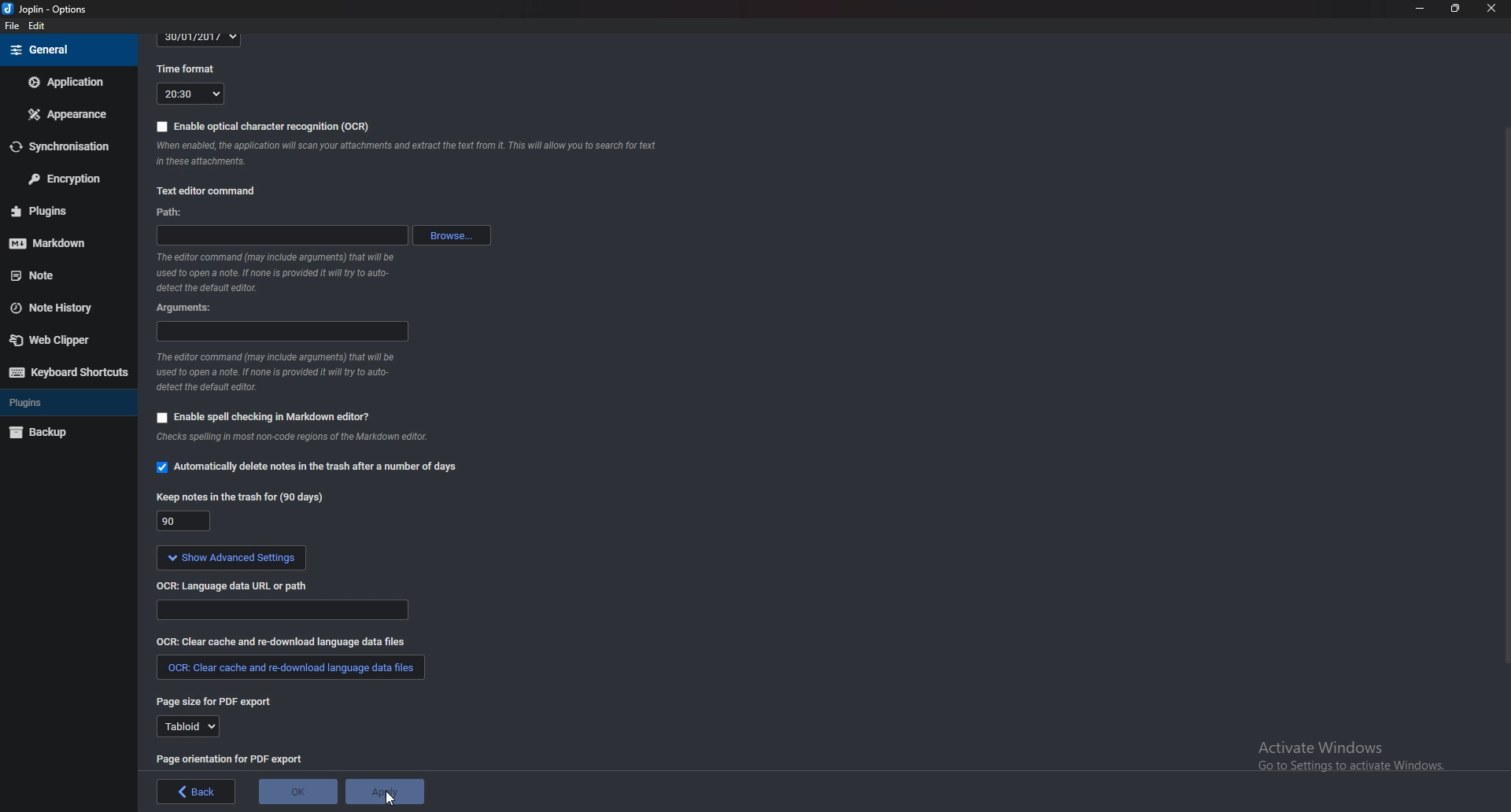  I want to click on Resize, so click(1456, 8).